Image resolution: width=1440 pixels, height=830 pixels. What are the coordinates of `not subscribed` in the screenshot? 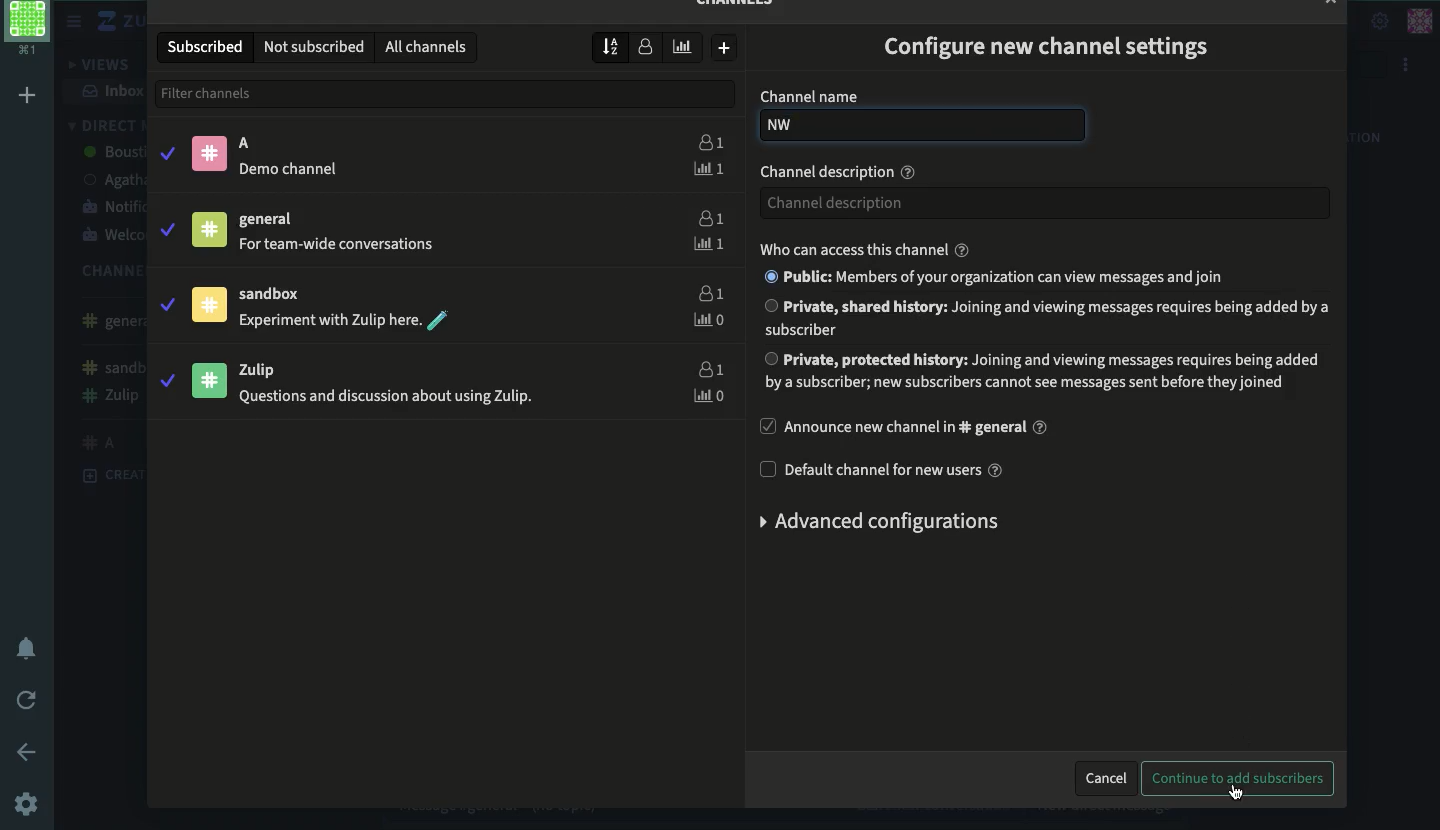 It's located at (317, 47).